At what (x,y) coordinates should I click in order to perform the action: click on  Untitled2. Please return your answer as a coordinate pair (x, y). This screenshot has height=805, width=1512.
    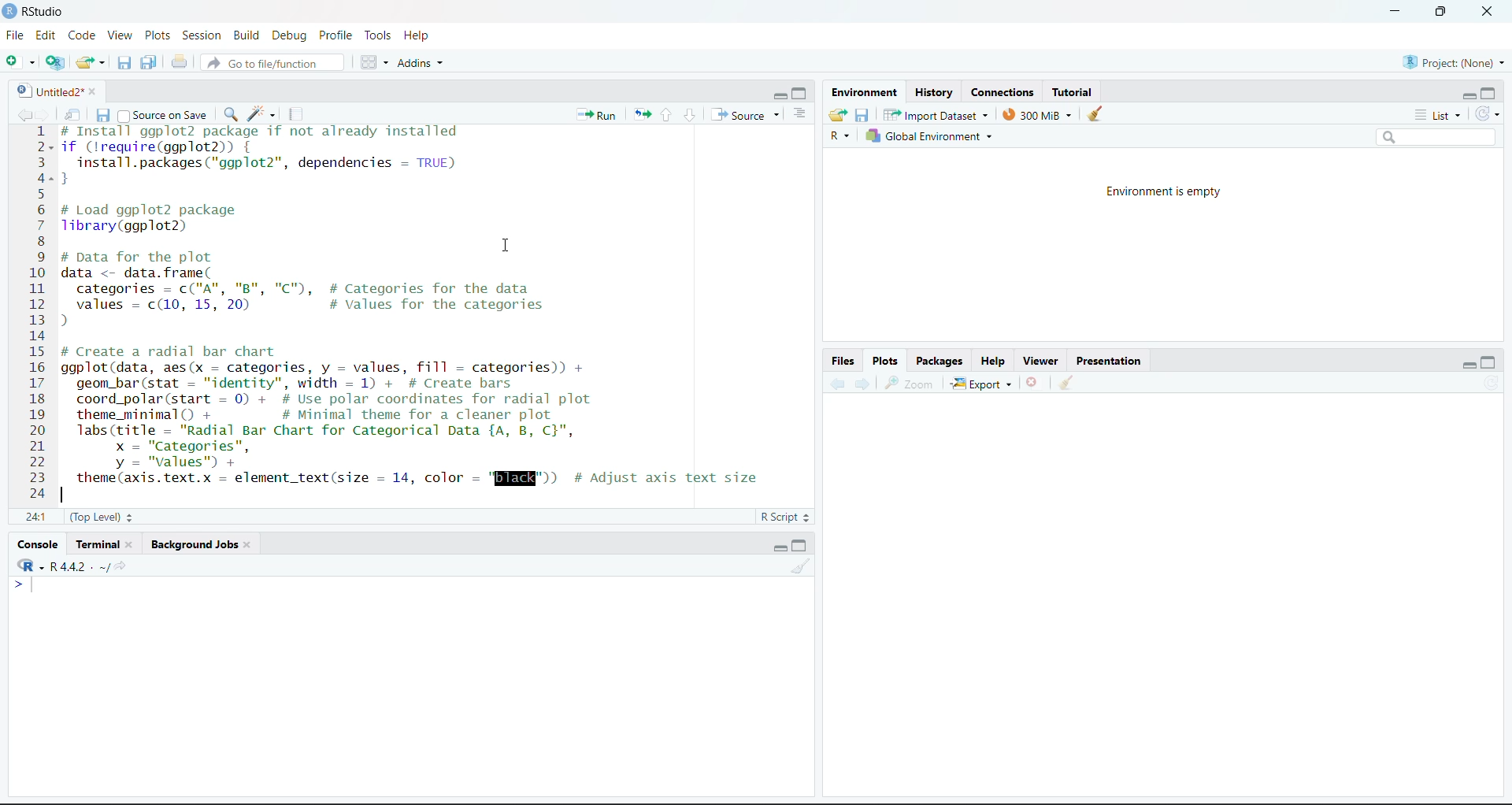
    Looking at the image, I should click on (54, 91).